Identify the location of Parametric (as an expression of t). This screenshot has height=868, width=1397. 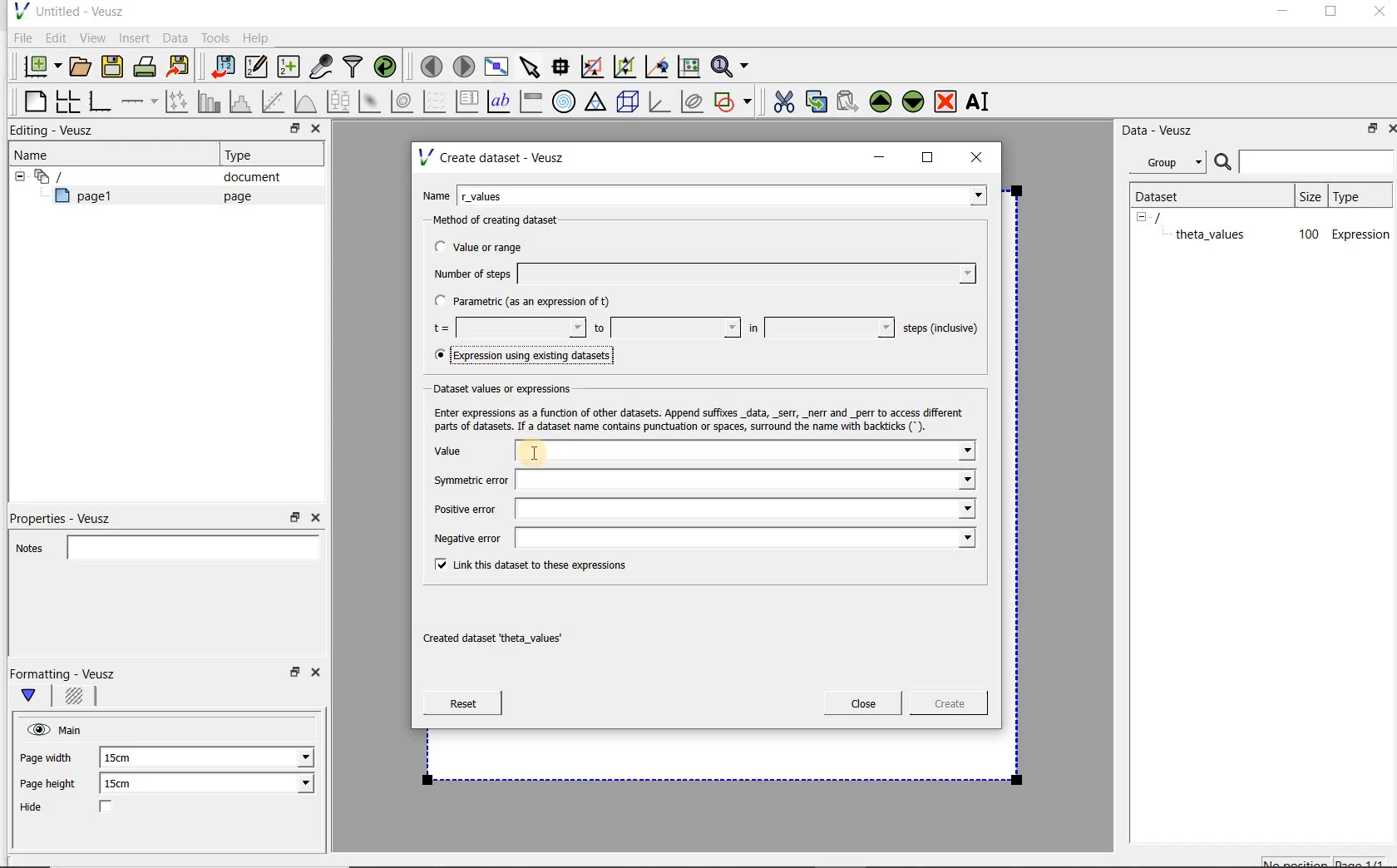
(530, 302).